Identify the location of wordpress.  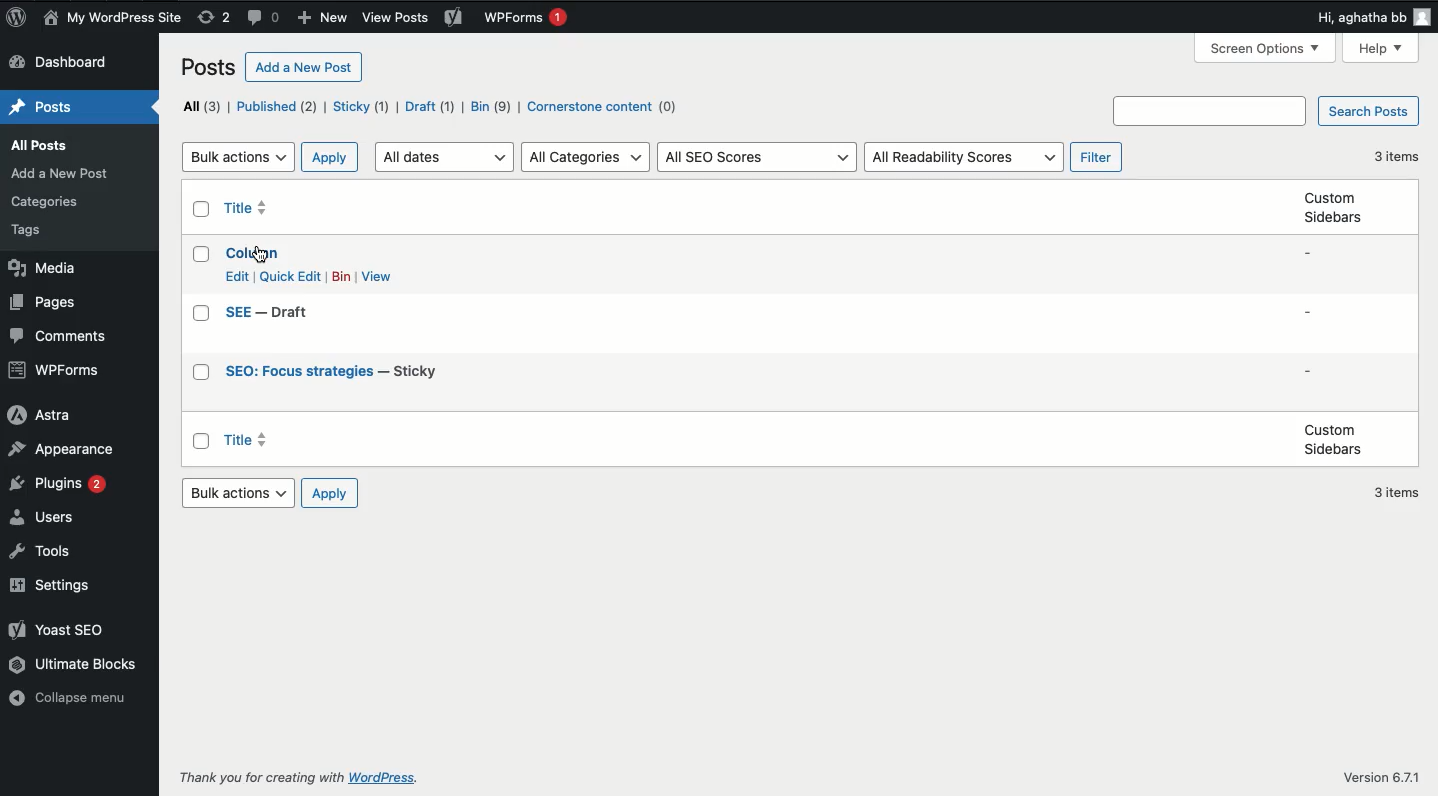
(387, 777).